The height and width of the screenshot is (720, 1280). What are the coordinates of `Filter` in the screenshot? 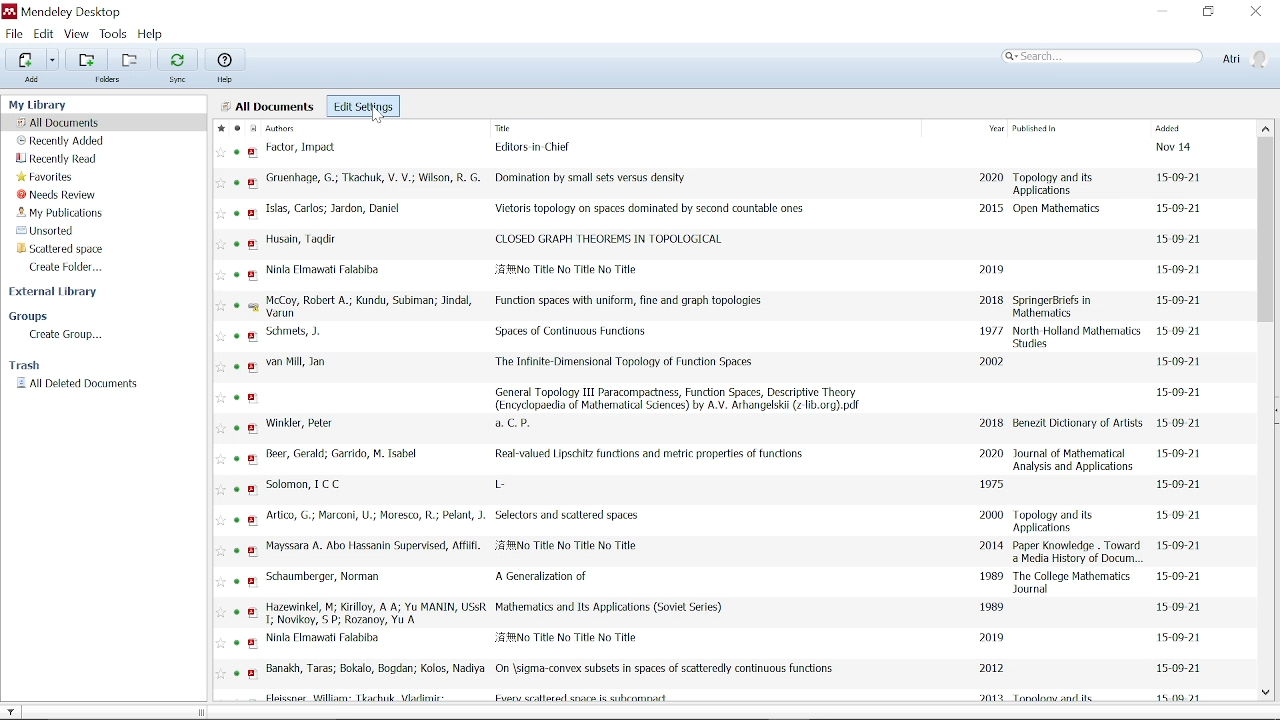 It's located at (17, 709).